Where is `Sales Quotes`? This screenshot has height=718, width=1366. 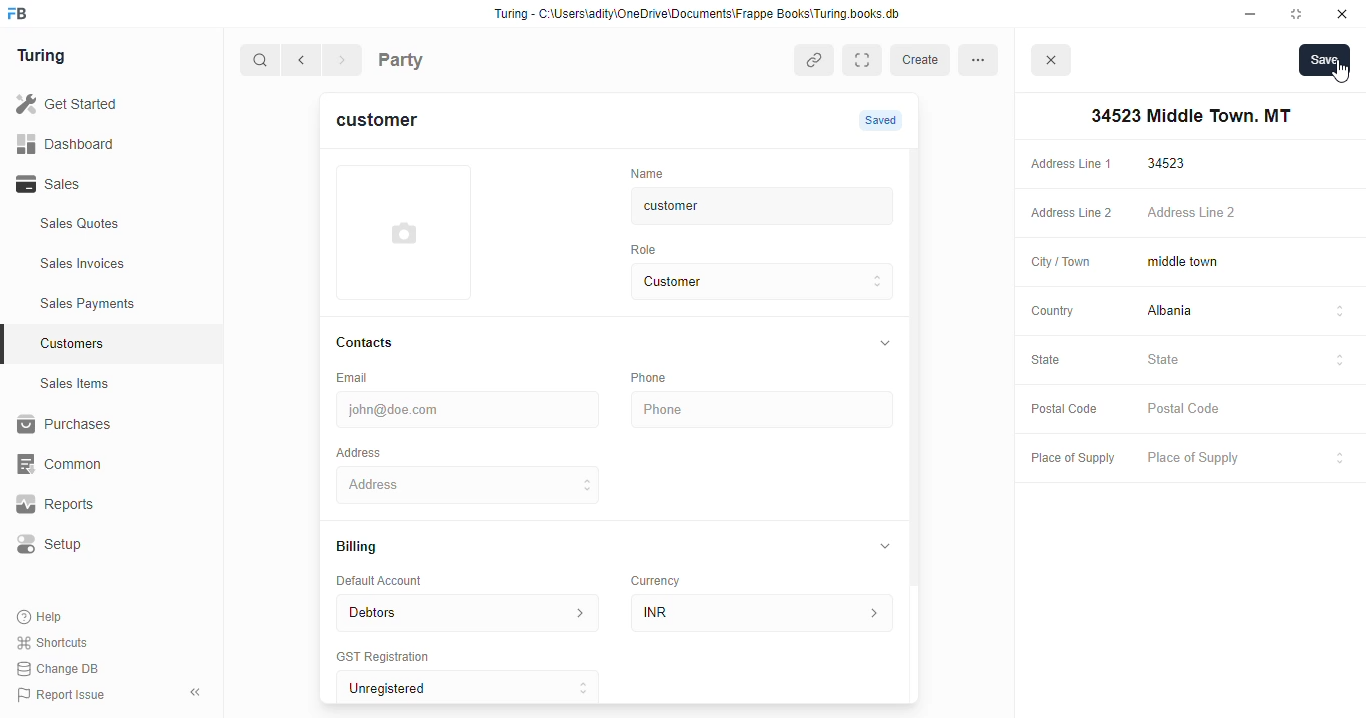
Sales Quotes is located at coordinates (107, 226).